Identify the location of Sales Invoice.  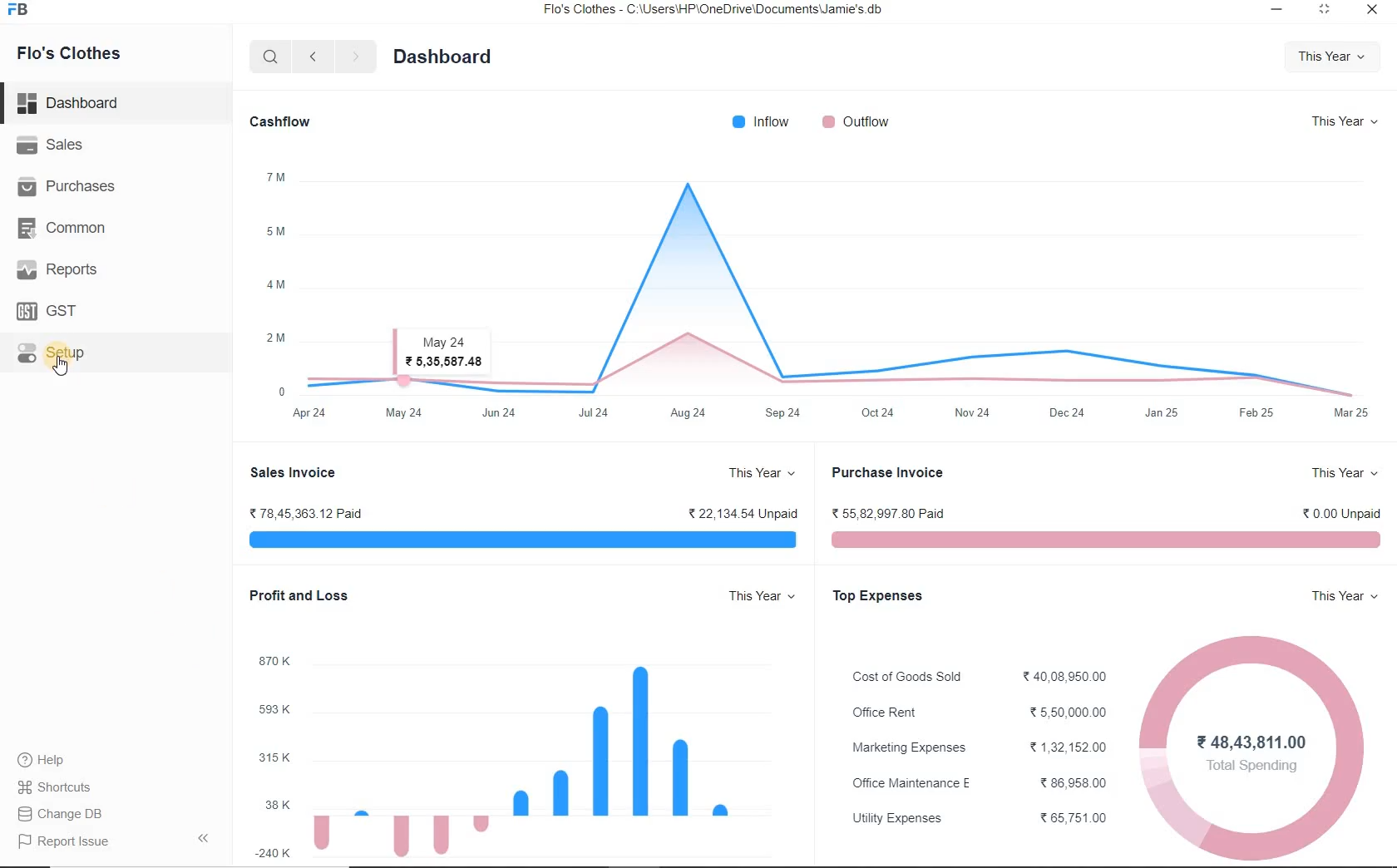
(294, 473).